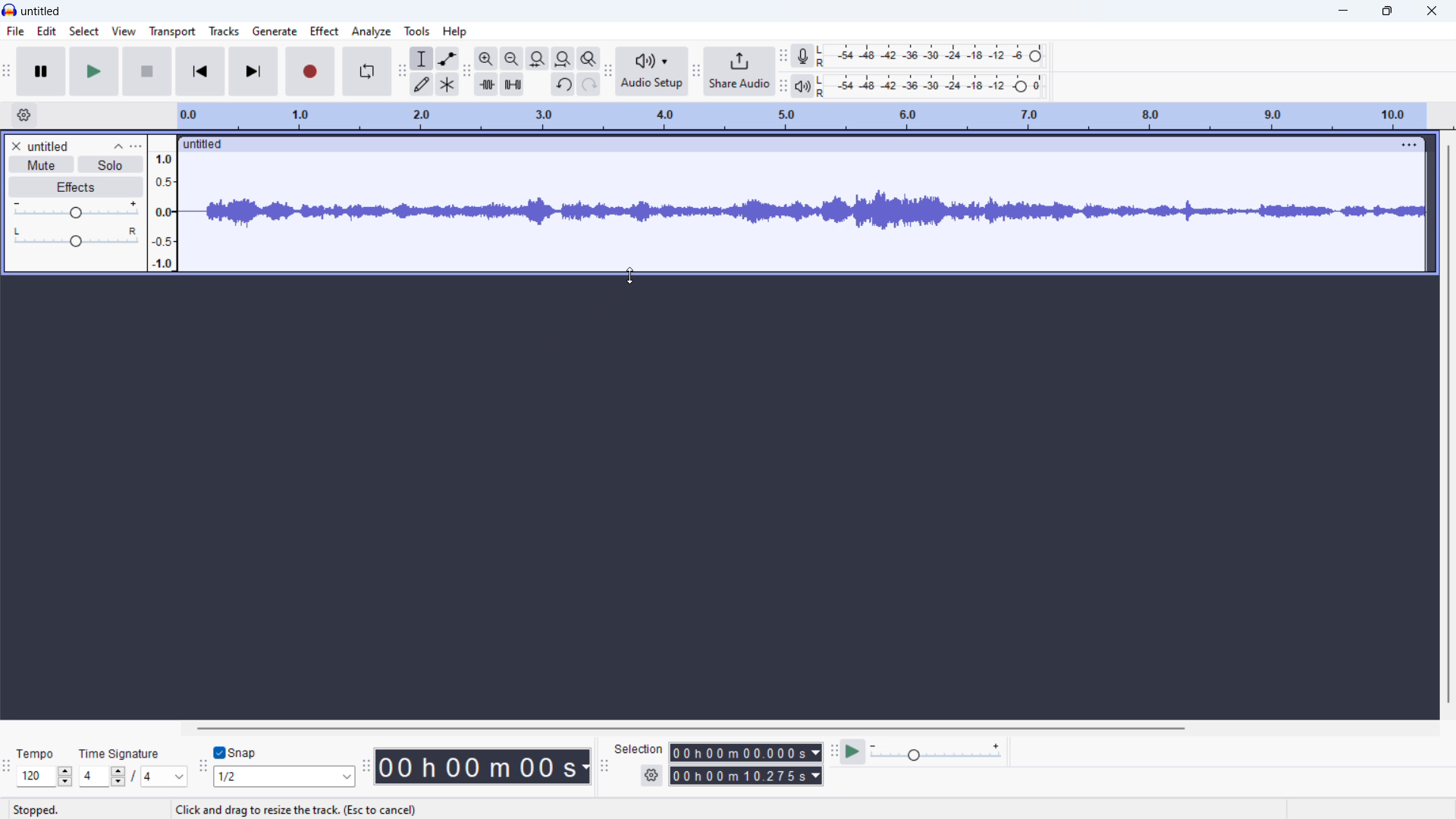  What do you see at coordinates (365, 769) in the screenshot?
I see `time toolbar` at bounding box center [365, 769].